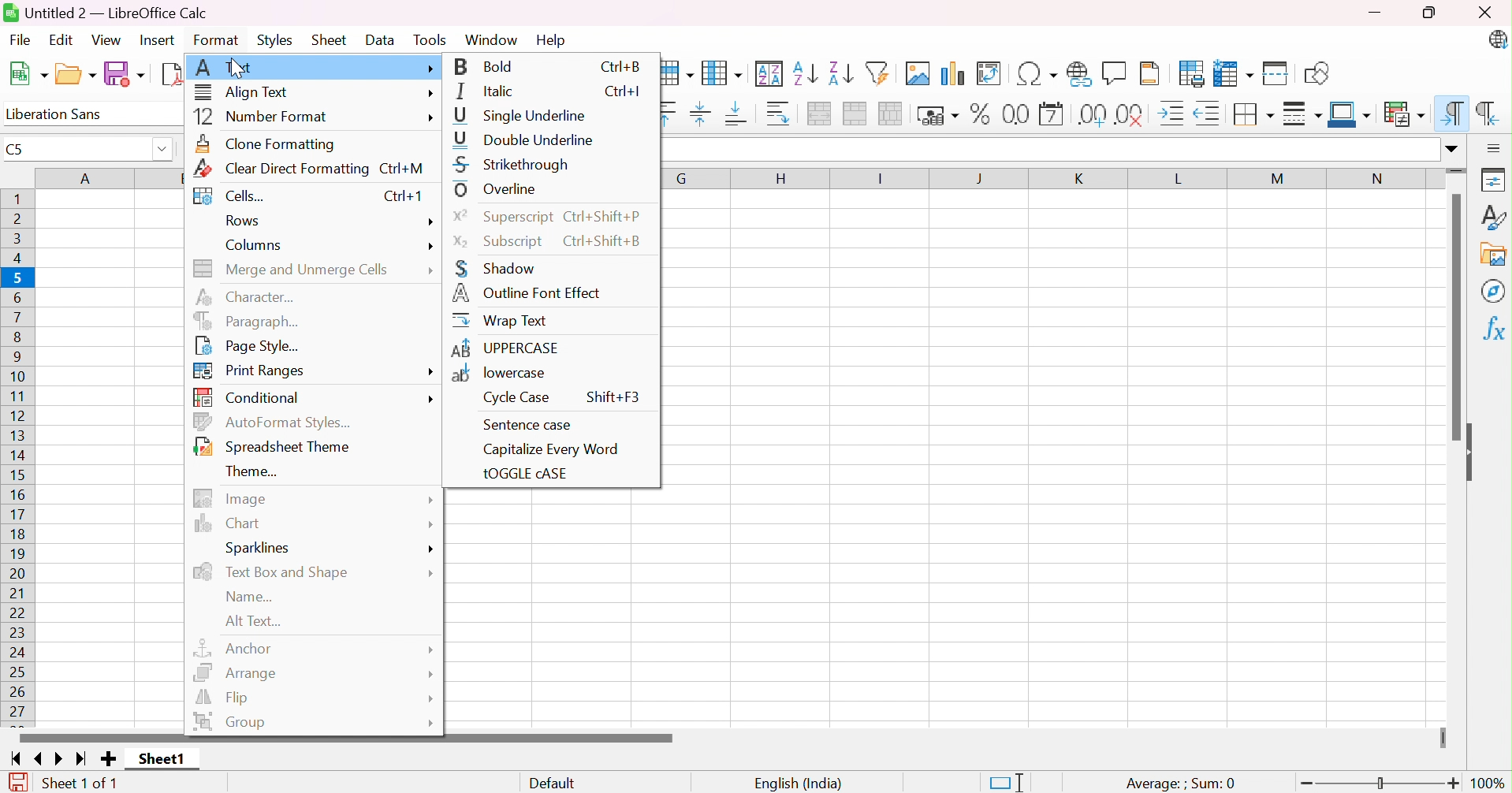 This screenshot has width=1512, height=793. Describe the element at coordinates (63, 758) in the screenshot. I see `Scroll to next page` at that location.